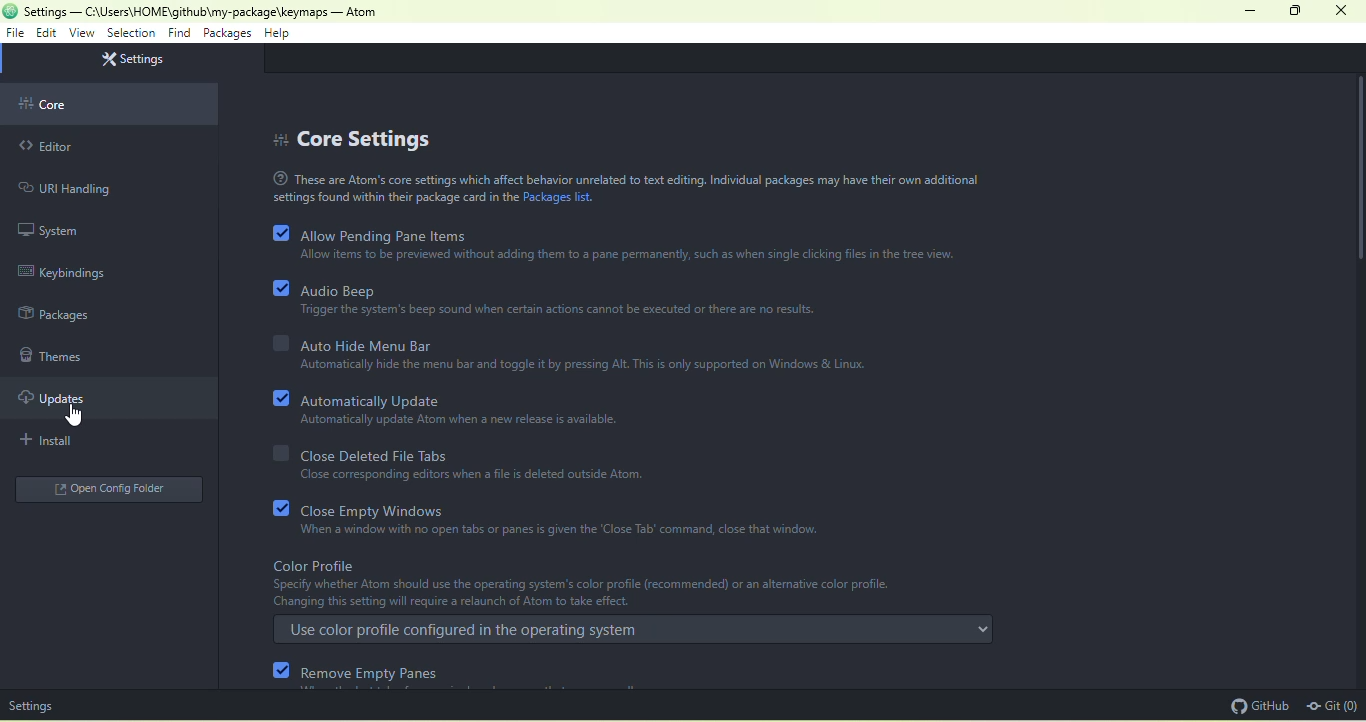 This screenshot has width=1366, height=722. I want to click on maximize, so click(1295, 12).